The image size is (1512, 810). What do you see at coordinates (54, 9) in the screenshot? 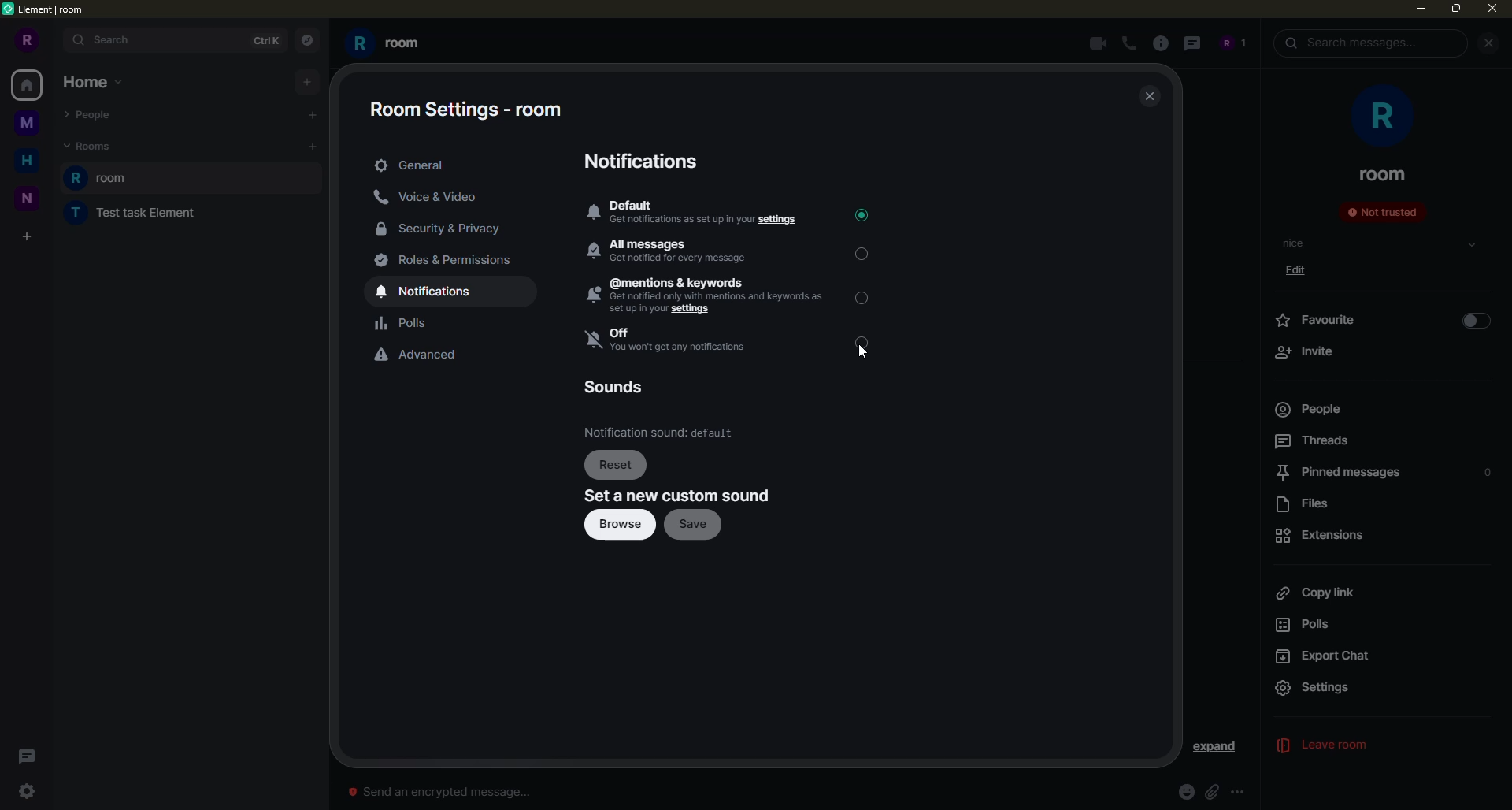
I see `element|room` at bounding box center [54, 9].